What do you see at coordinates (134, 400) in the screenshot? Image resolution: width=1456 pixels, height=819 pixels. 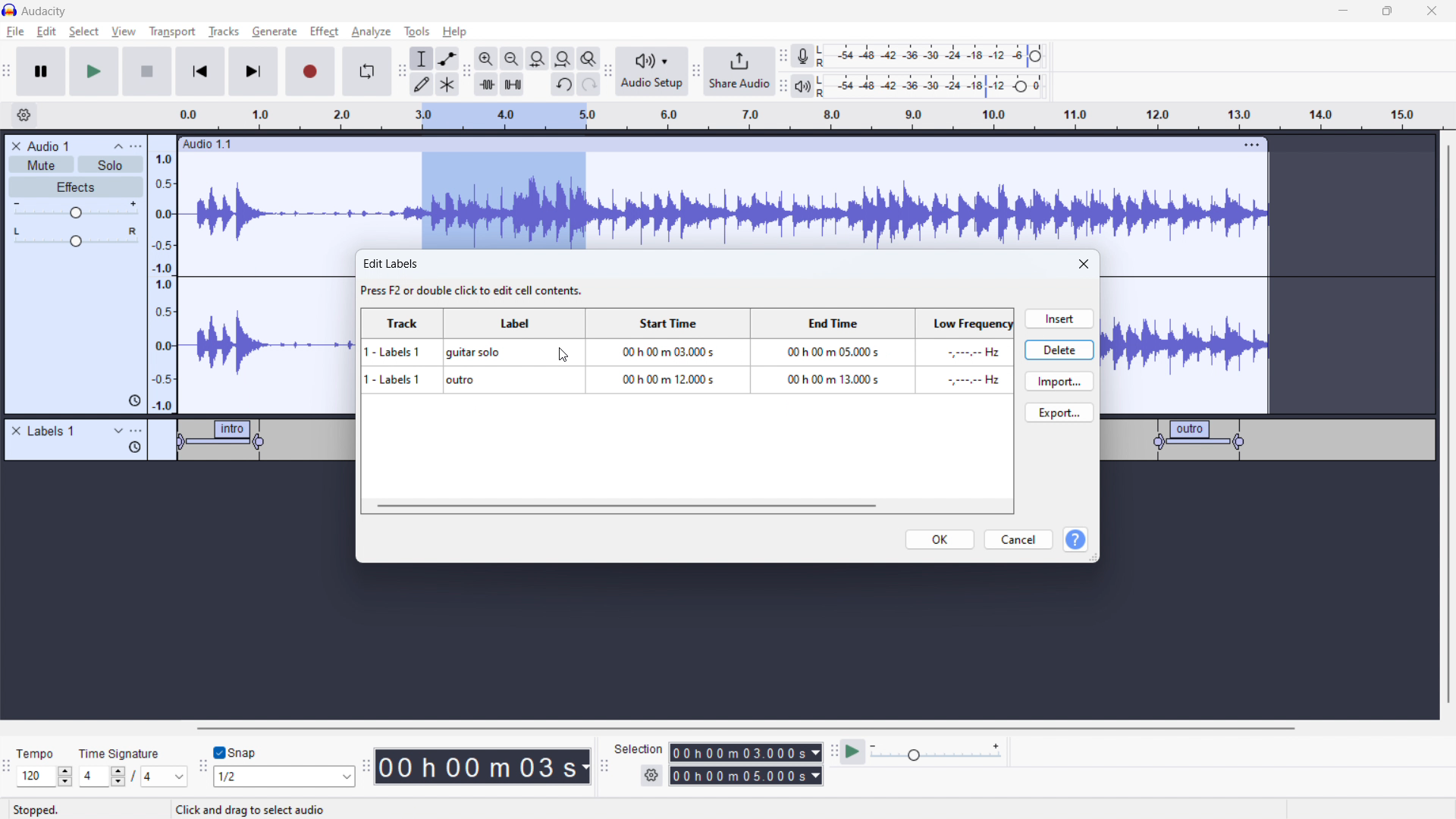 I see `history` at bounding box center [134, 400].